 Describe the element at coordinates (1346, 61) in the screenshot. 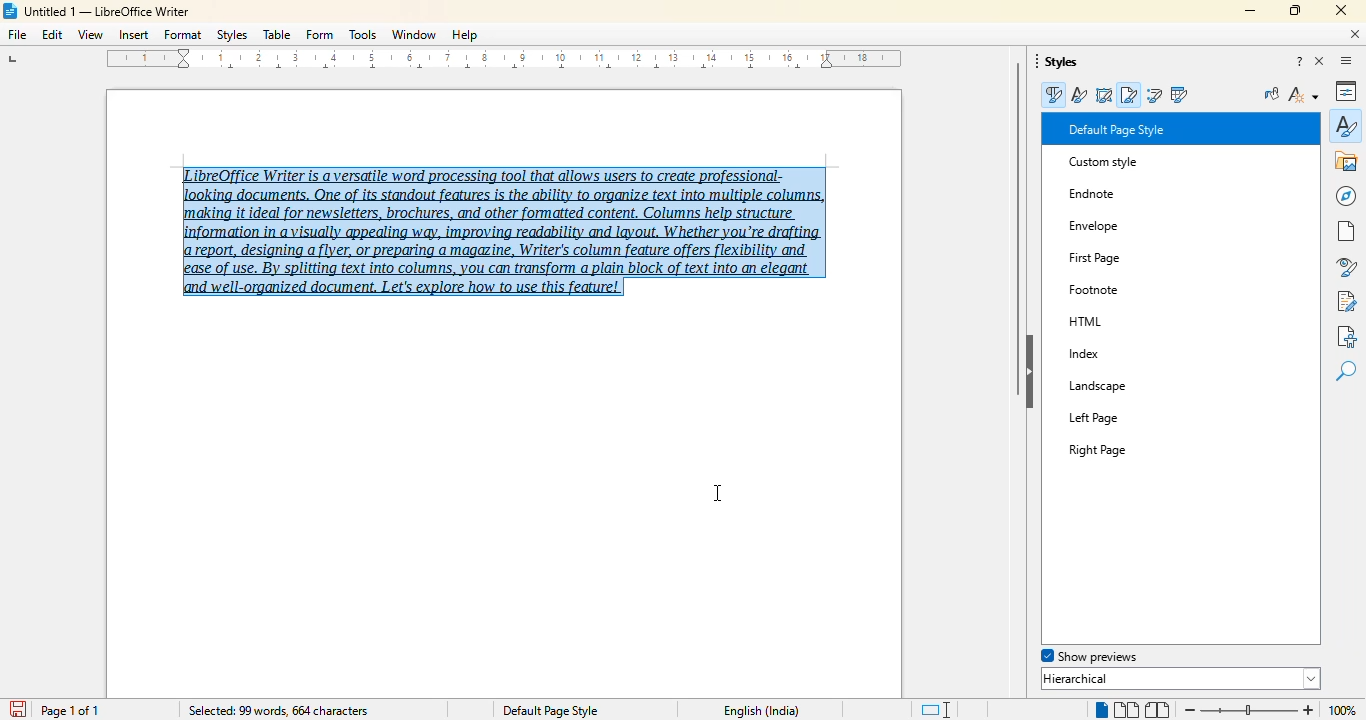

I see `sidebar settings` at that location.